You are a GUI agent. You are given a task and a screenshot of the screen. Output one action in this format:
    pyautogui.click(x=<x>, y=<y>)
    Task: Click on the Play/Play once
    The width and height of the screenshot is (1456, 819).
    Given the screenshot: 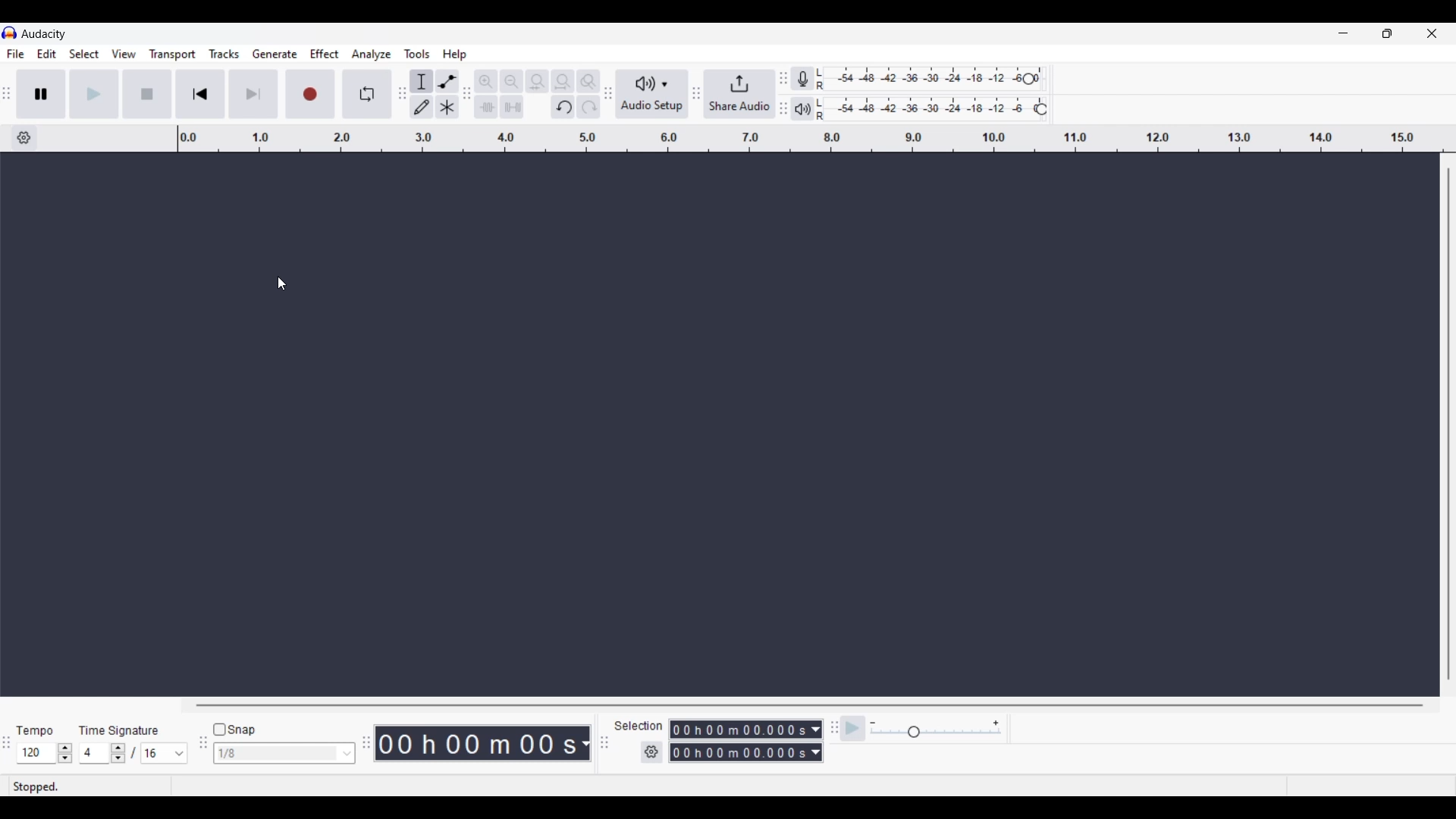 What is the action you would take?
    pyautogui.click(x=94, y=93)
    